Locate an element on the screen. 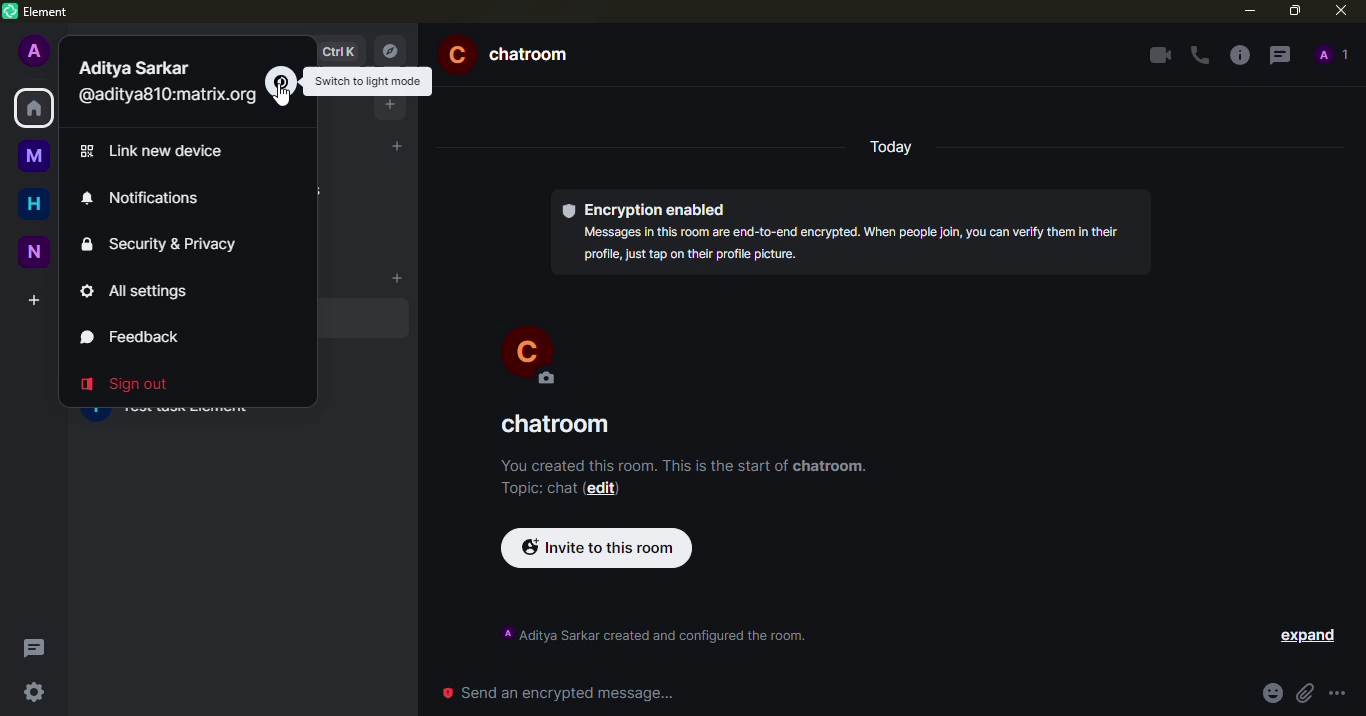  threads is located at coordinates (34, 647).